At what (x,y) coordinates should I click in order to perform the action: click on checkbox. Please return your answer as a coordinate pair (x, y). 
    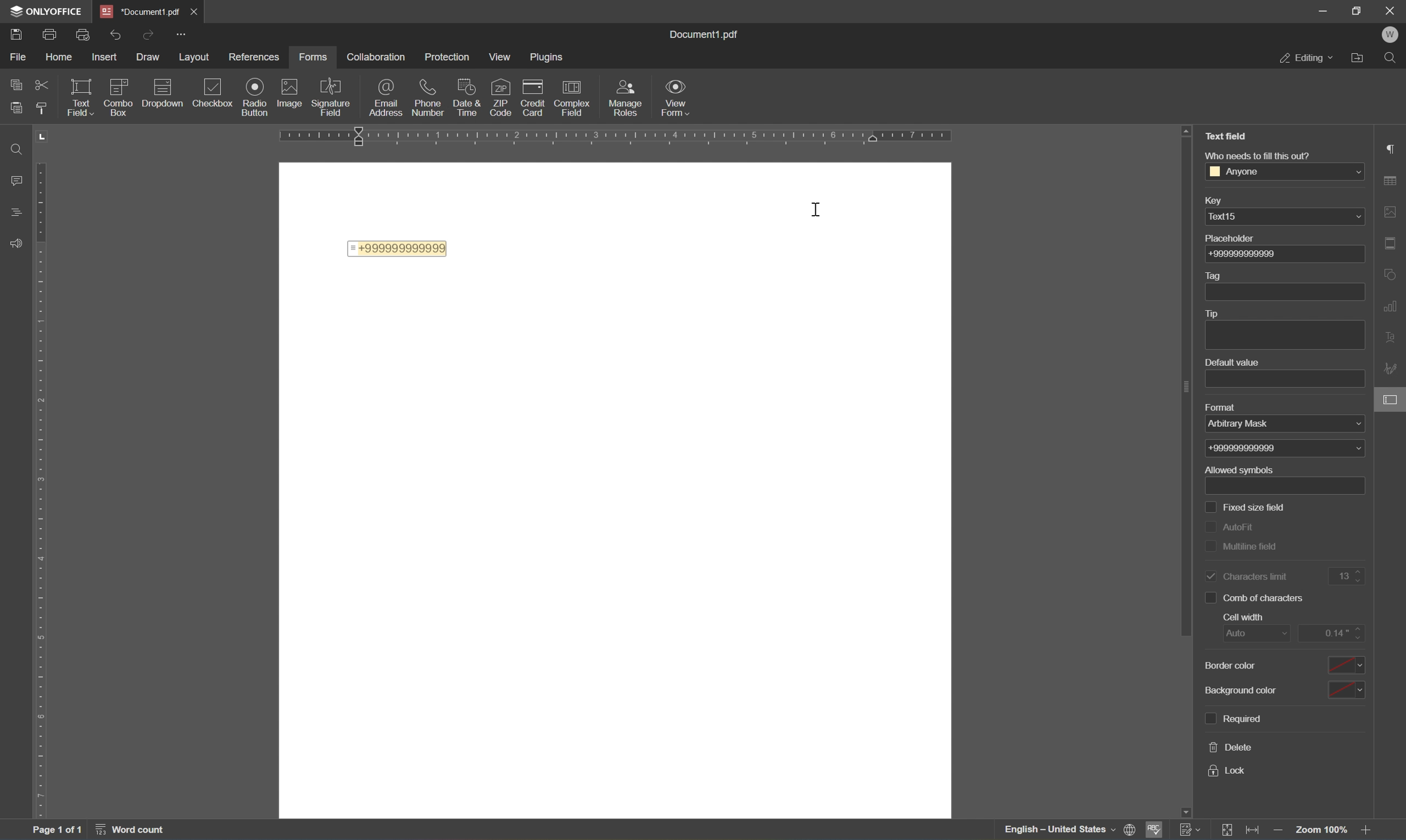
    Looking at the image, I should click on (119, 95).